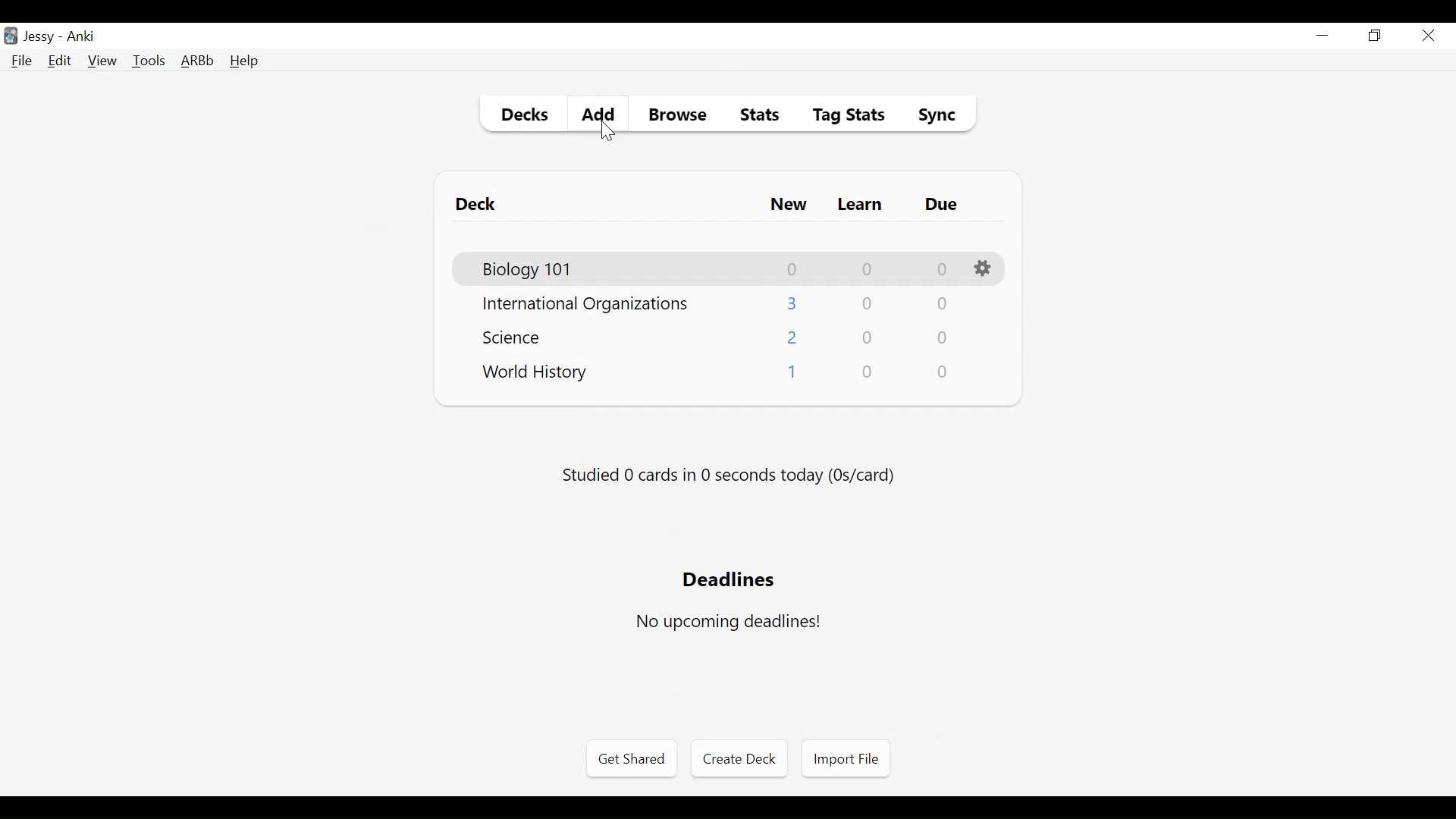 The width and height of the screenshot is (1456, 819). I want to click on Tag Stats, so click(840, 117).